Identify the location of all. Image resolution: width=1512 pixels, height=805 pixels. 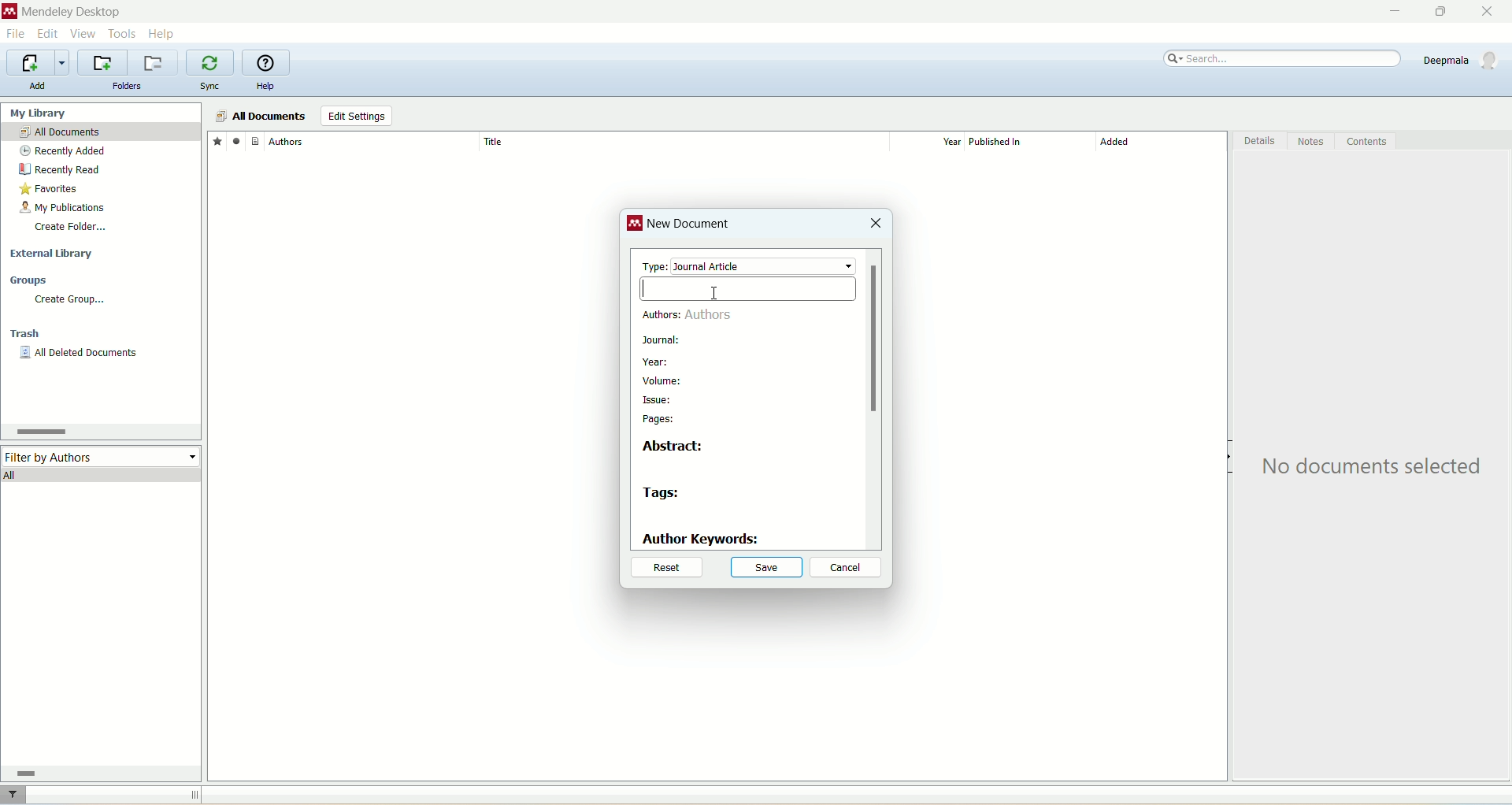
(102, 474).